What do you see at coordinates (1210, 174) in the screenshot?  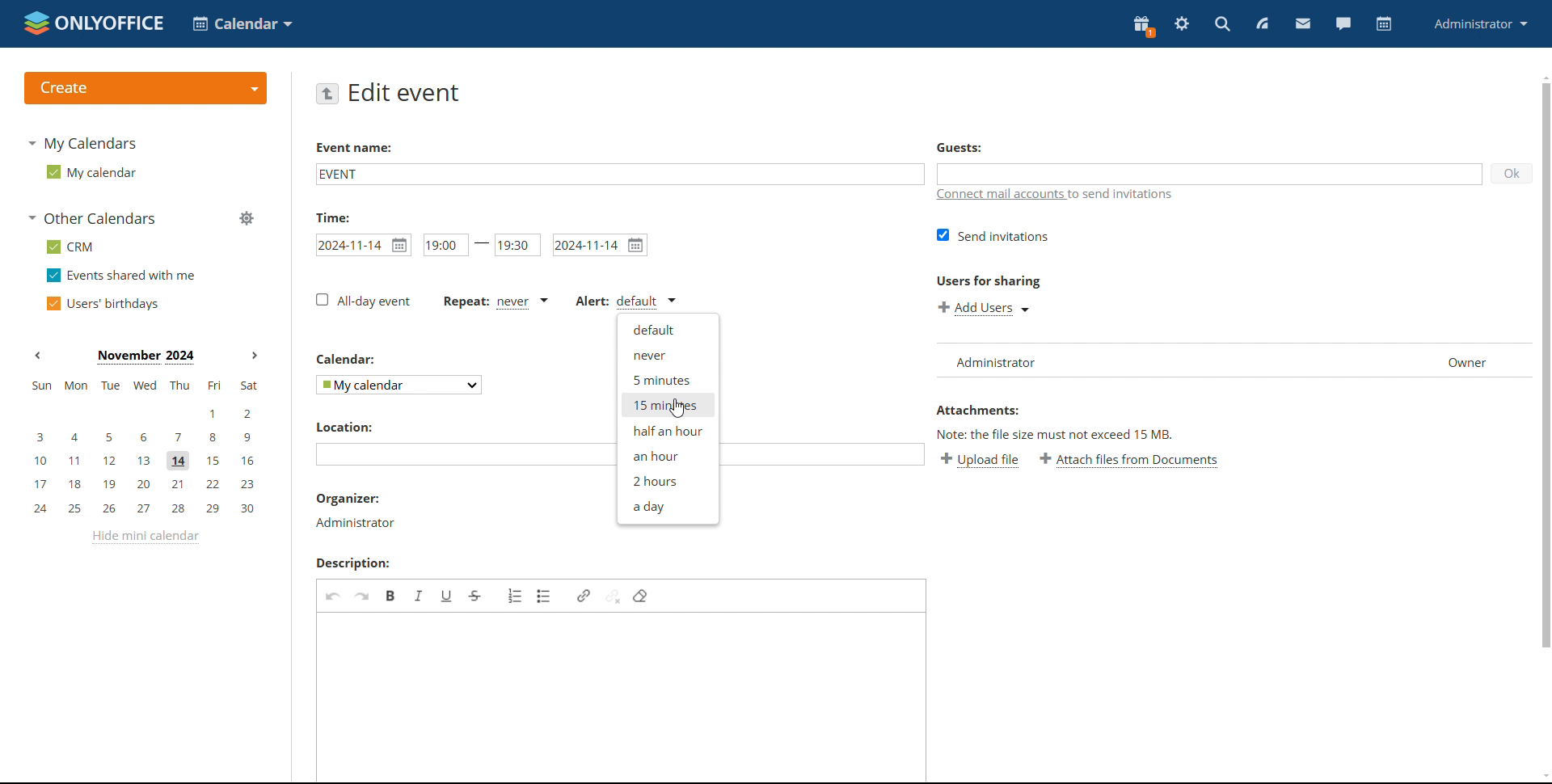 I see `add guests` at bounding box center [1210, 174].